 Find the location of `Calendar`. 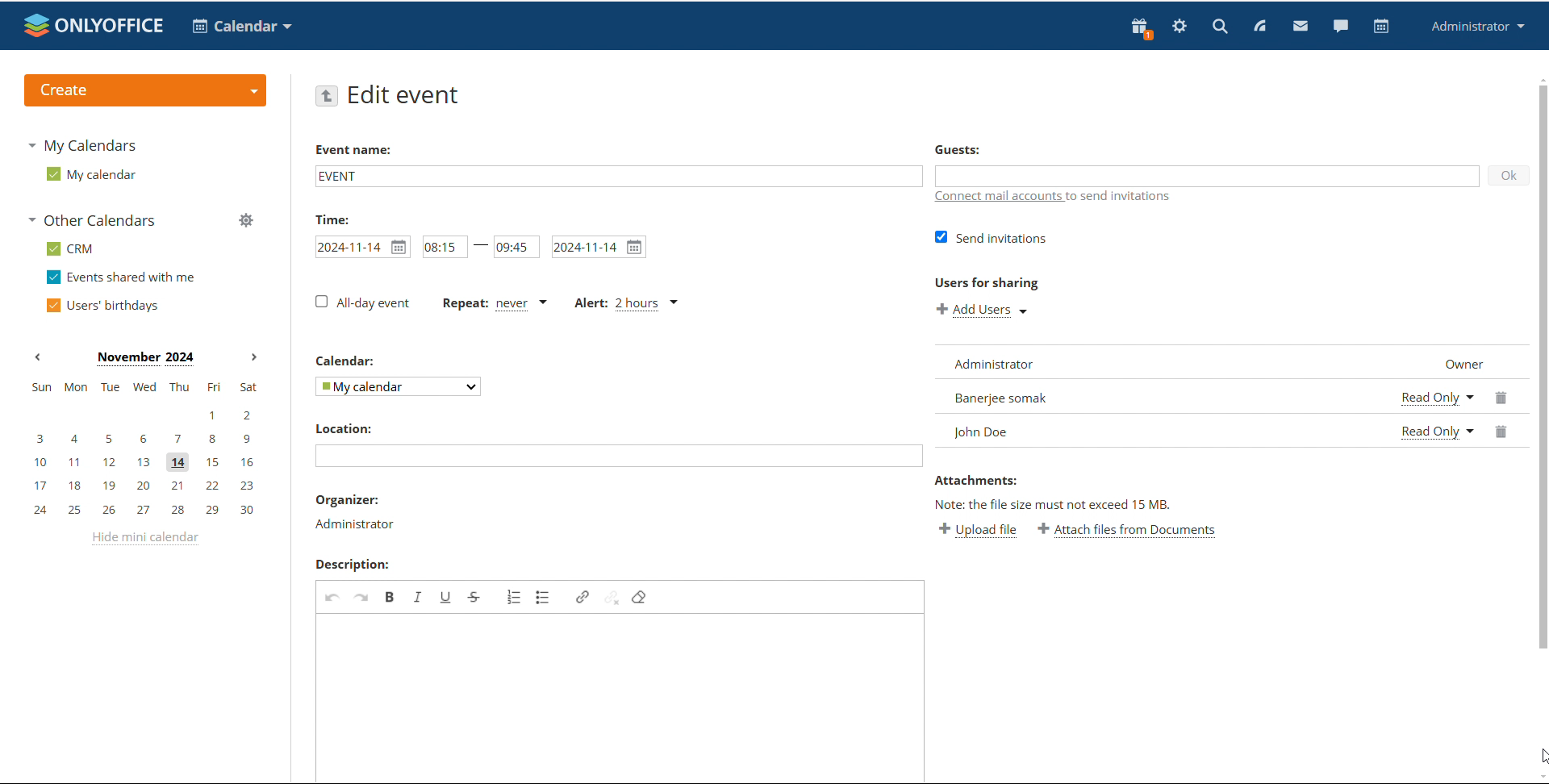

Calendar is located at coordinates (347, 360).